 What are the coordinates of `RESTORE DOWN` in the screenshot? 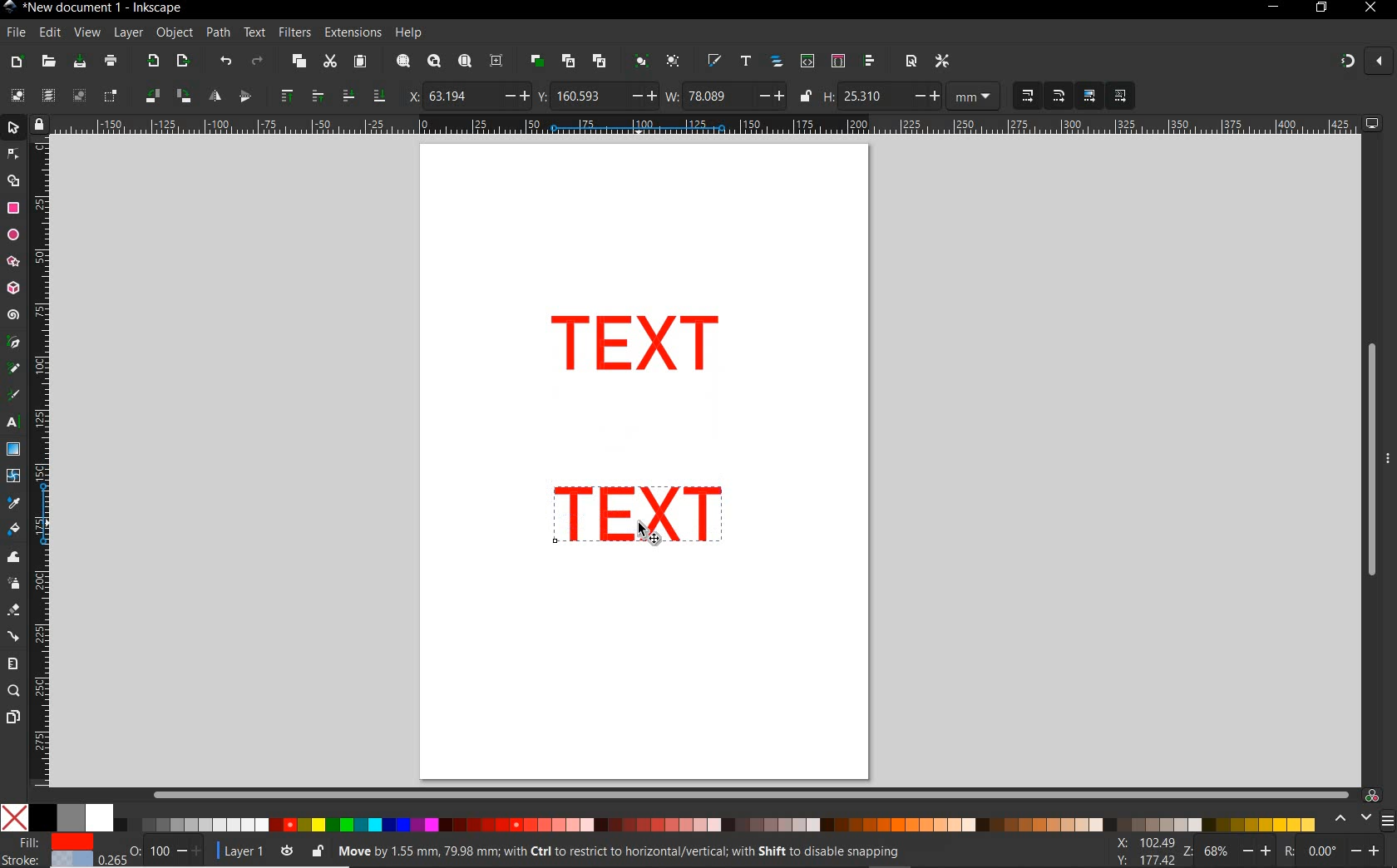 It's located at (1320, 8).